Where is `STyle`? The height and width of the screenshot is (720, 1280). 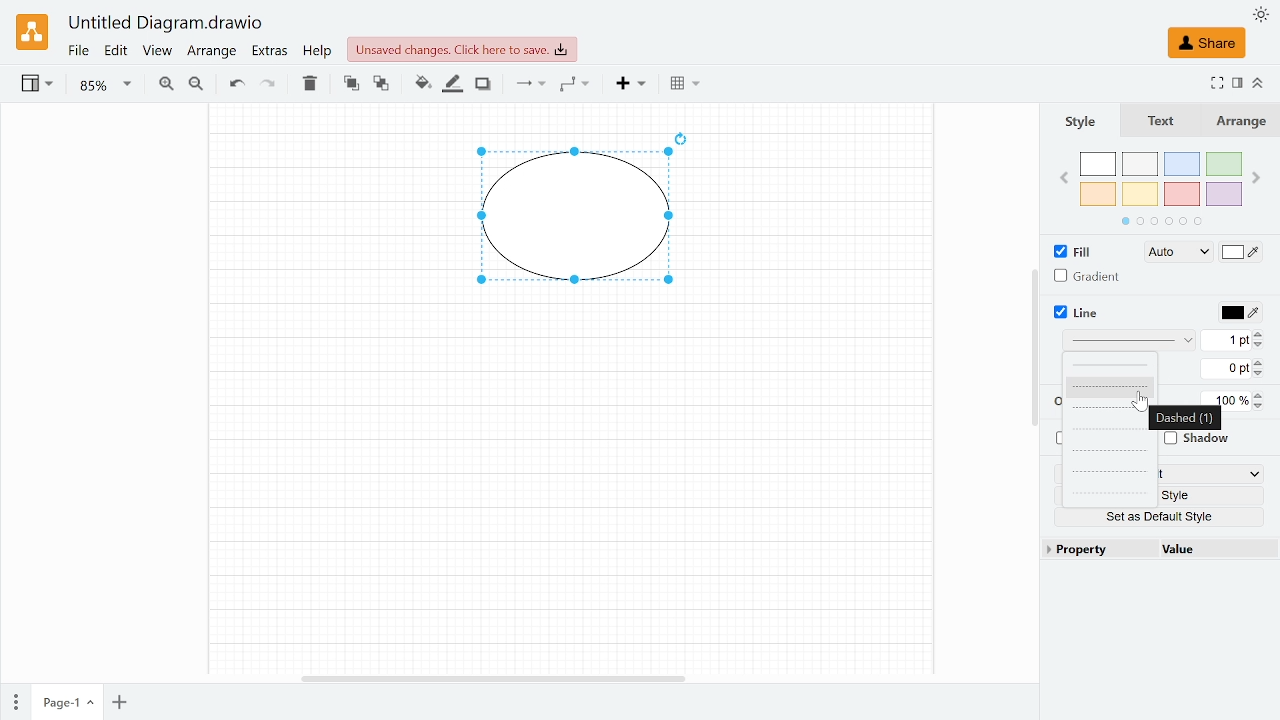 STyle is located at coordinates (1091, 121).